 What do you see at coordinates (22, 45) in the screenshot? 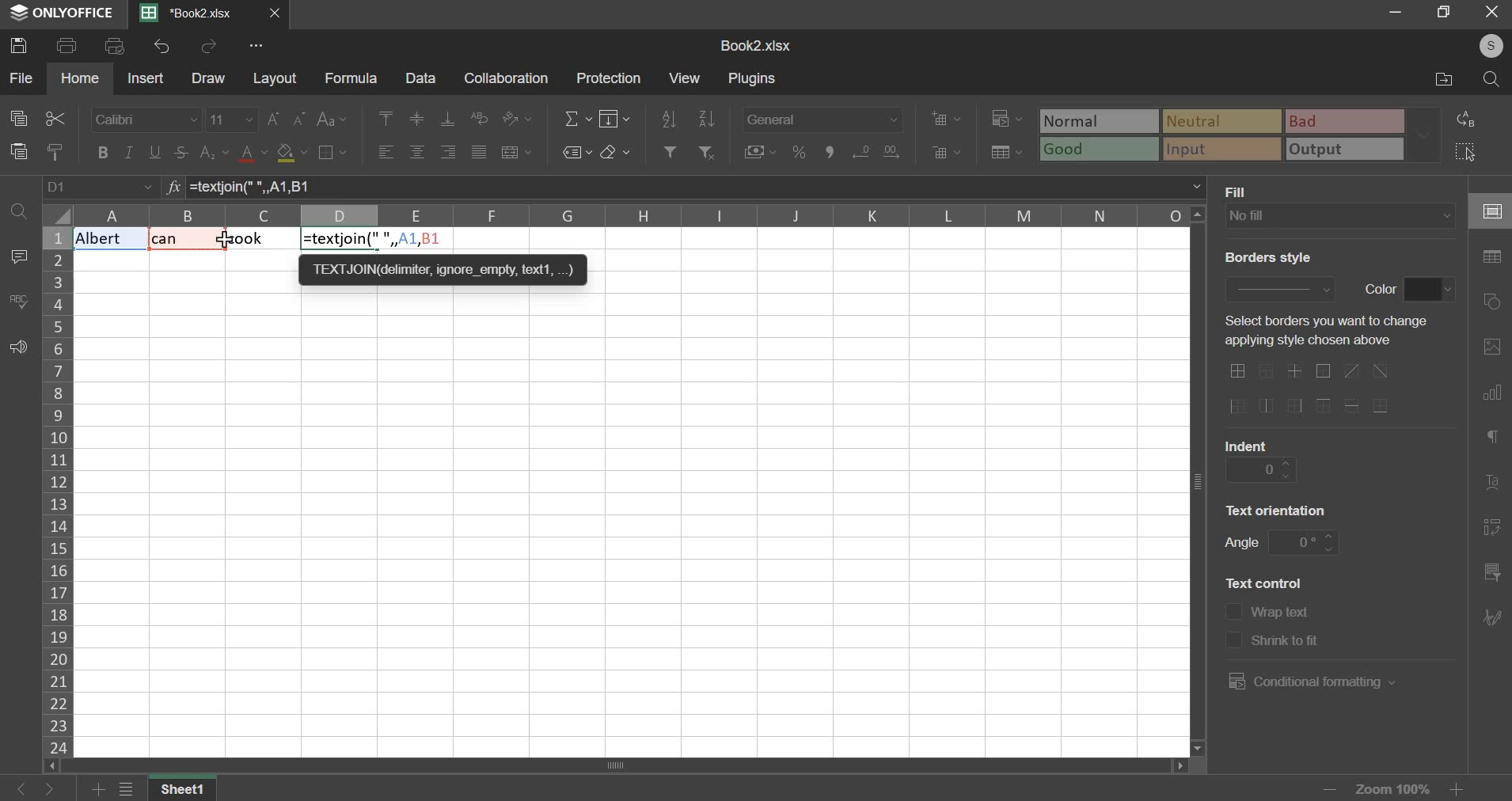
I see `save` at bounding box center [22, 45].